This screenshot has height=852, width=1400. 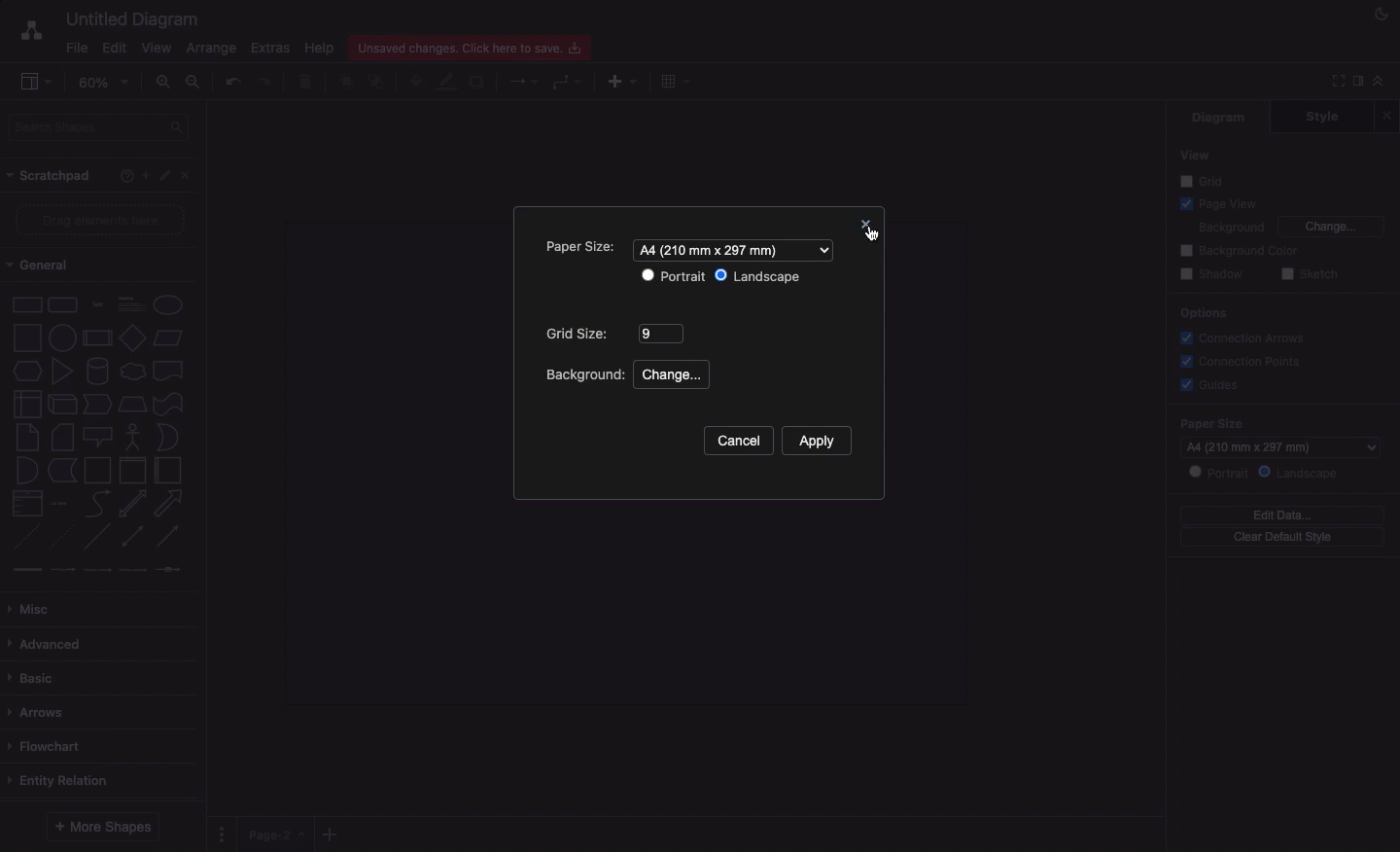 What do you see at coordinates (759, 278) in the screenshot?
I see `Landscape` at bounding box center [759, 278].